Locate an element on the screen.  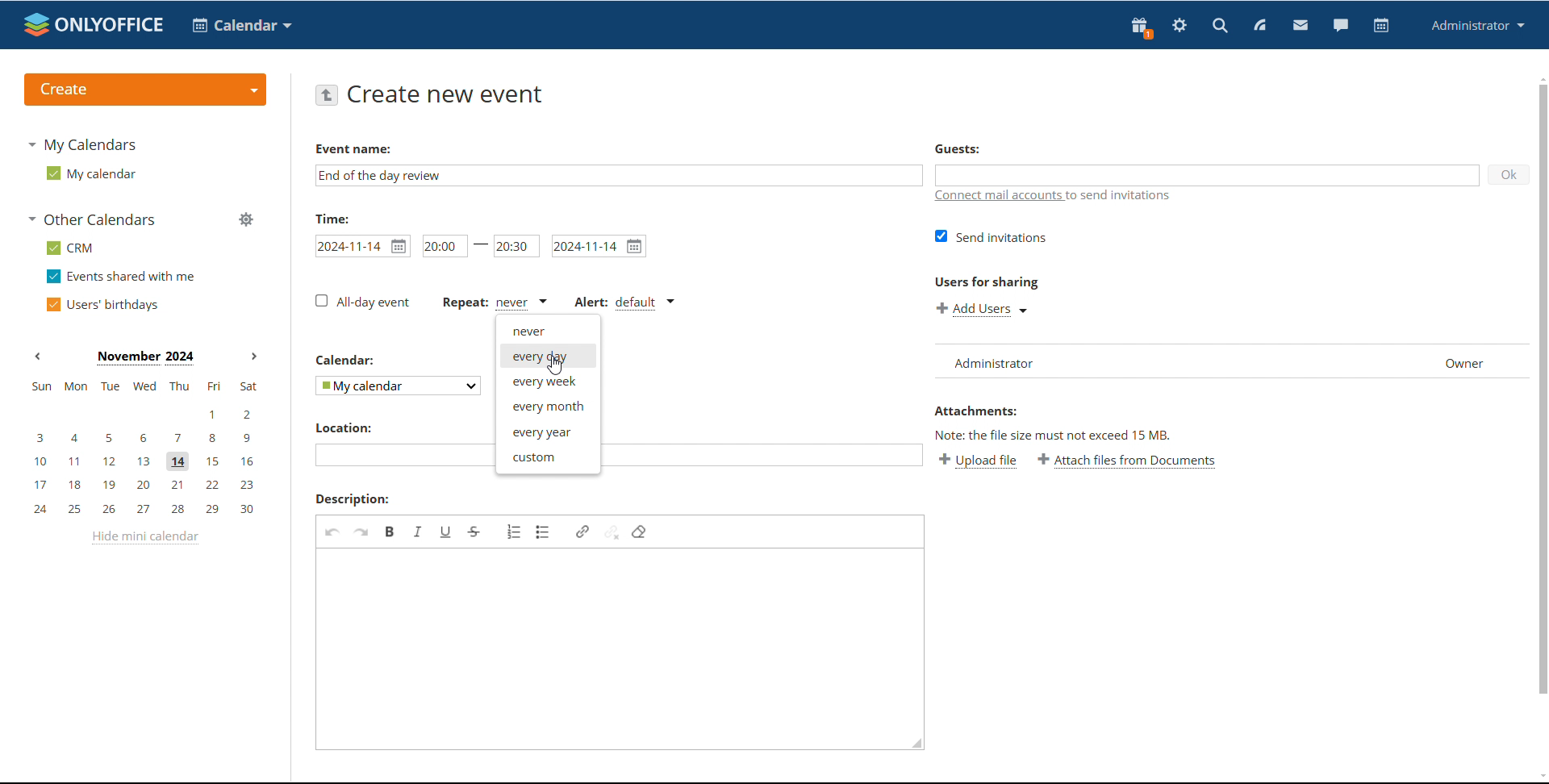
set end date is located at coordinates (599, 246).